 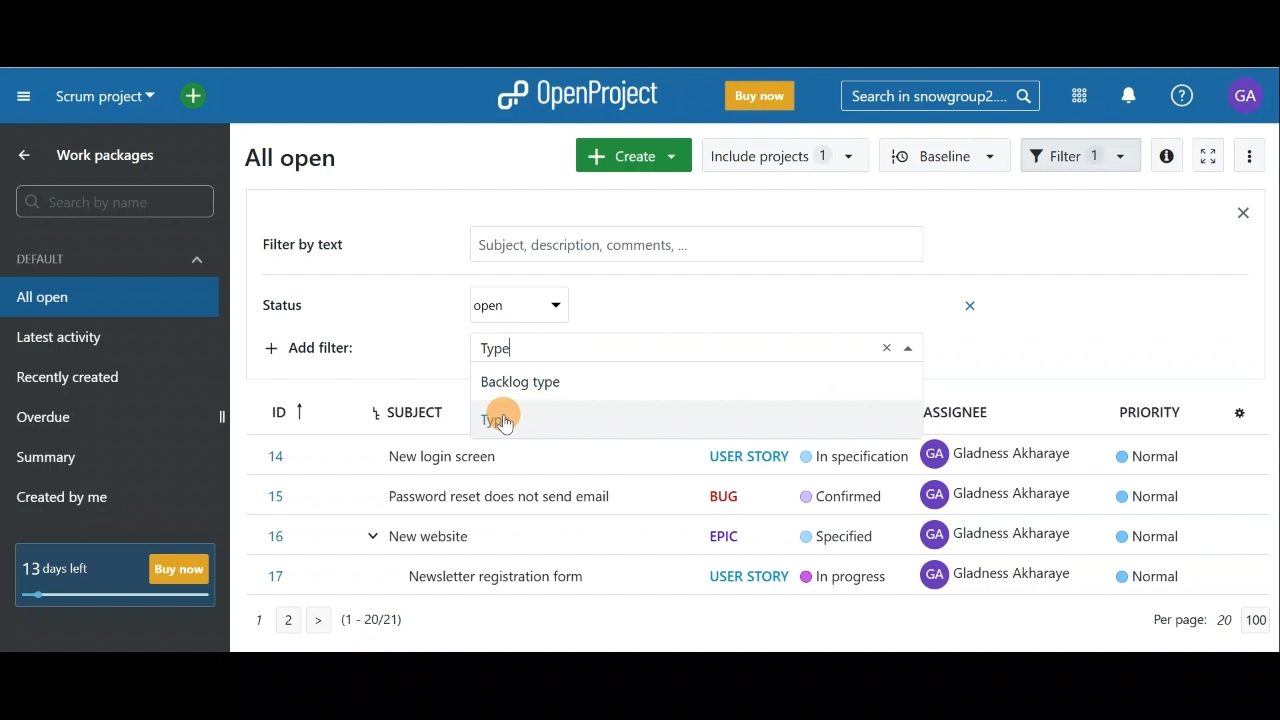 What do you see at coordinates (1131, 93) in the screenshot?
I see `Notification center` at bounding box center [1131, 93].